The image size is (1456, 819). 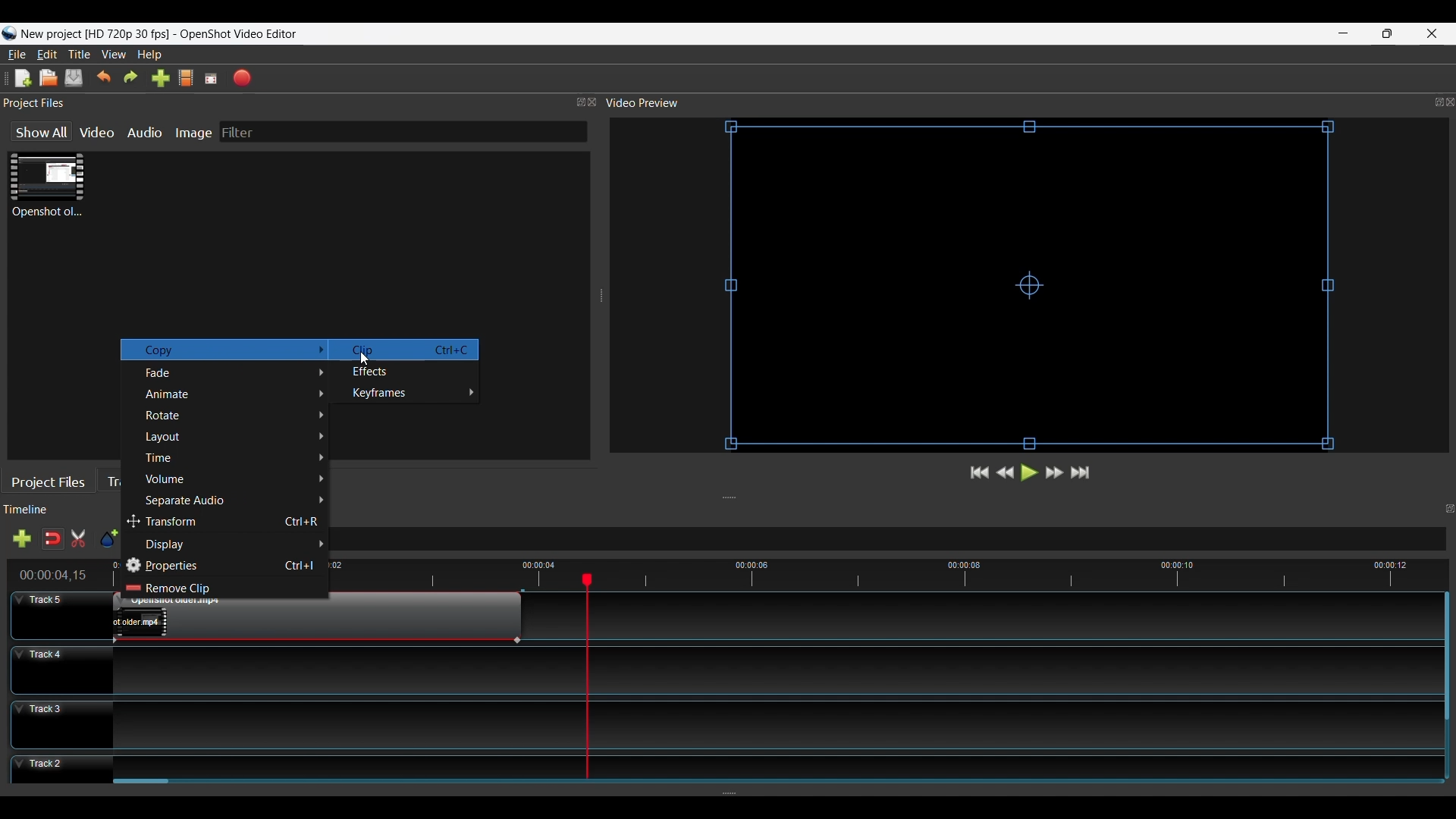 What do you see at coordinates (243, 77) in the screenshot?
I see `Export Video` at bounding box center [243, 77].